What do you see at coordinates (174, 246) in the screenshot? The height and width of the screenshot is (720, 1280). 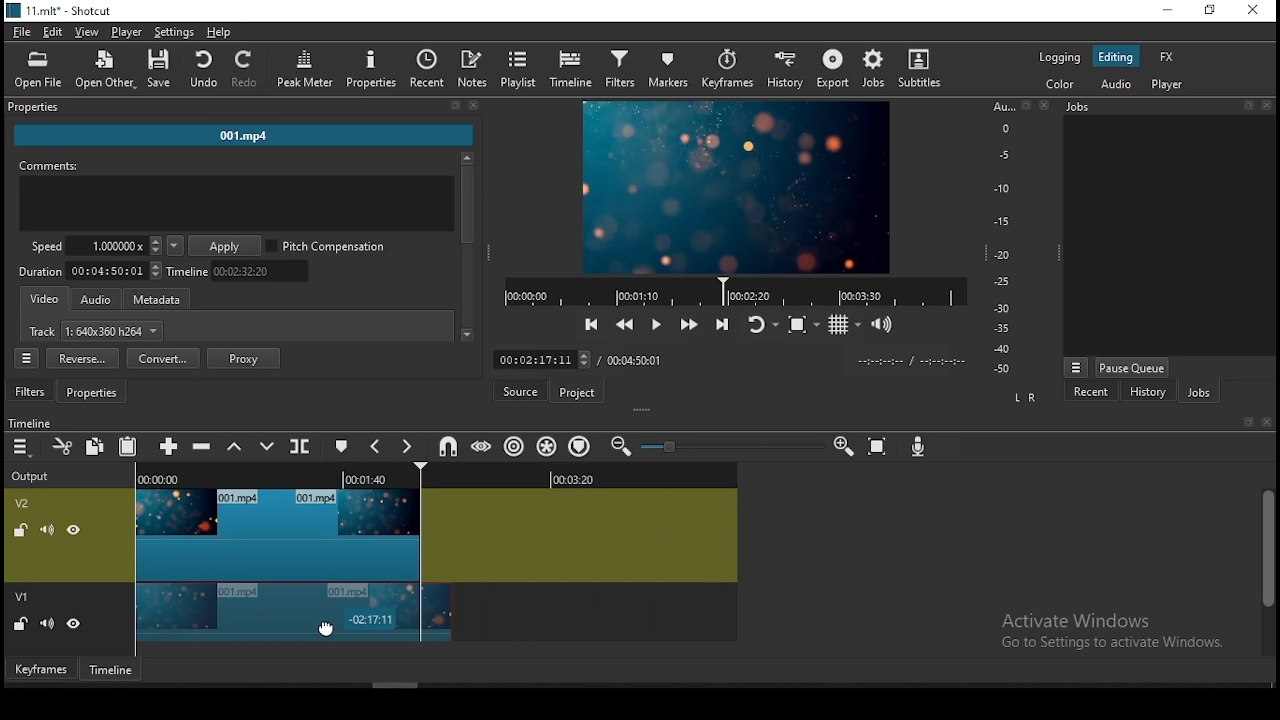 I see `playback speed presets` at bounding box center [174, 246].